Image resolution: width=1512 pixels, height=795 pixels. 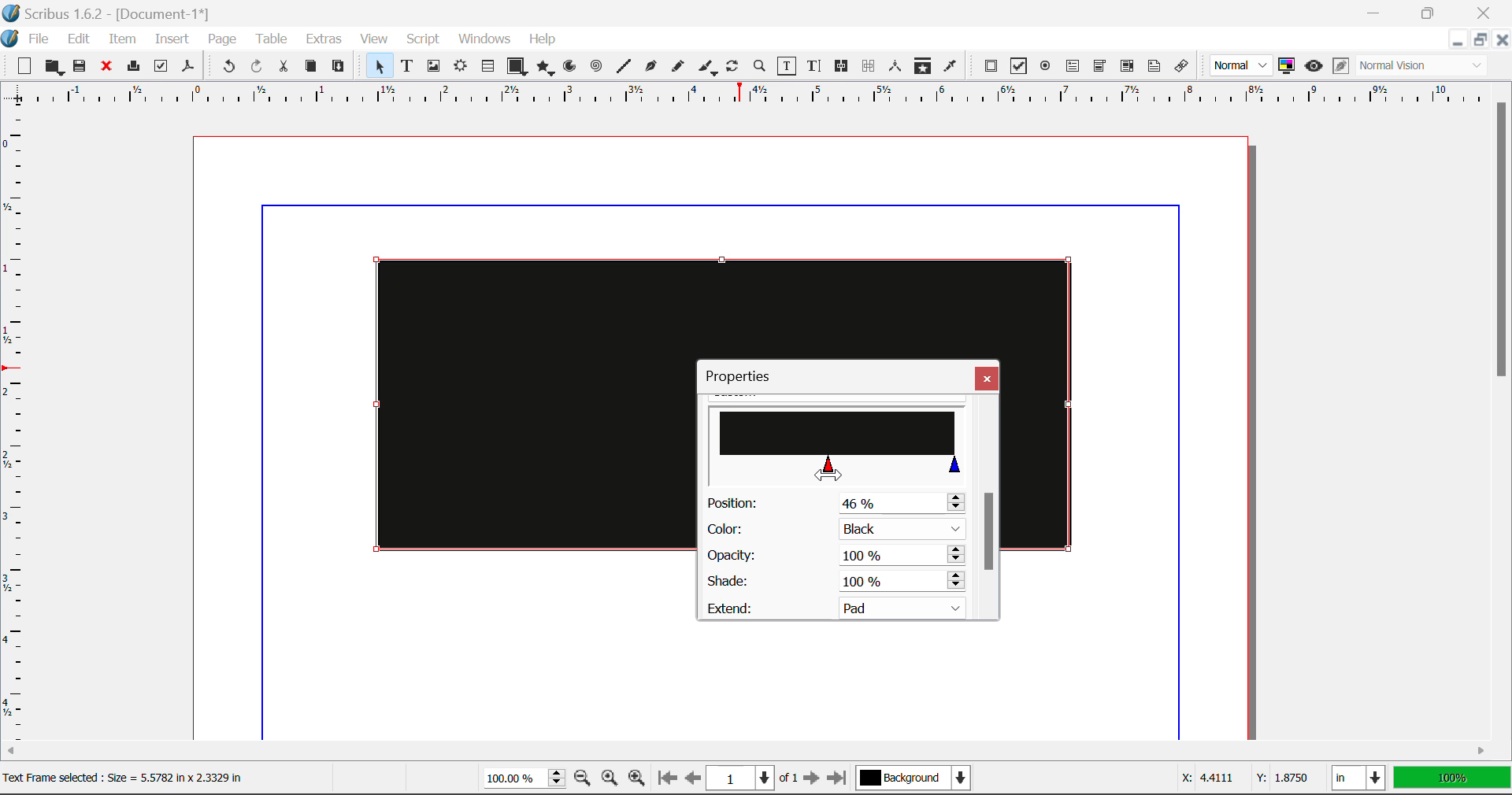 I want to click on PDF Push Button, so click(x=991, y=65).